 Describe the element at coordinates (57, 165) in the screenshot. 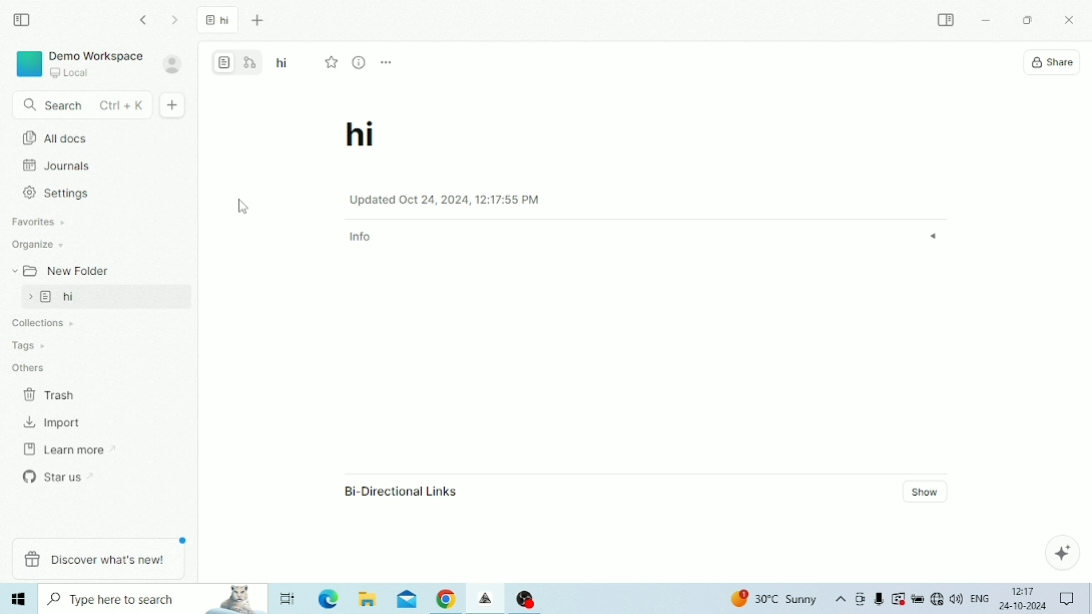

I see `Journals` at that location.